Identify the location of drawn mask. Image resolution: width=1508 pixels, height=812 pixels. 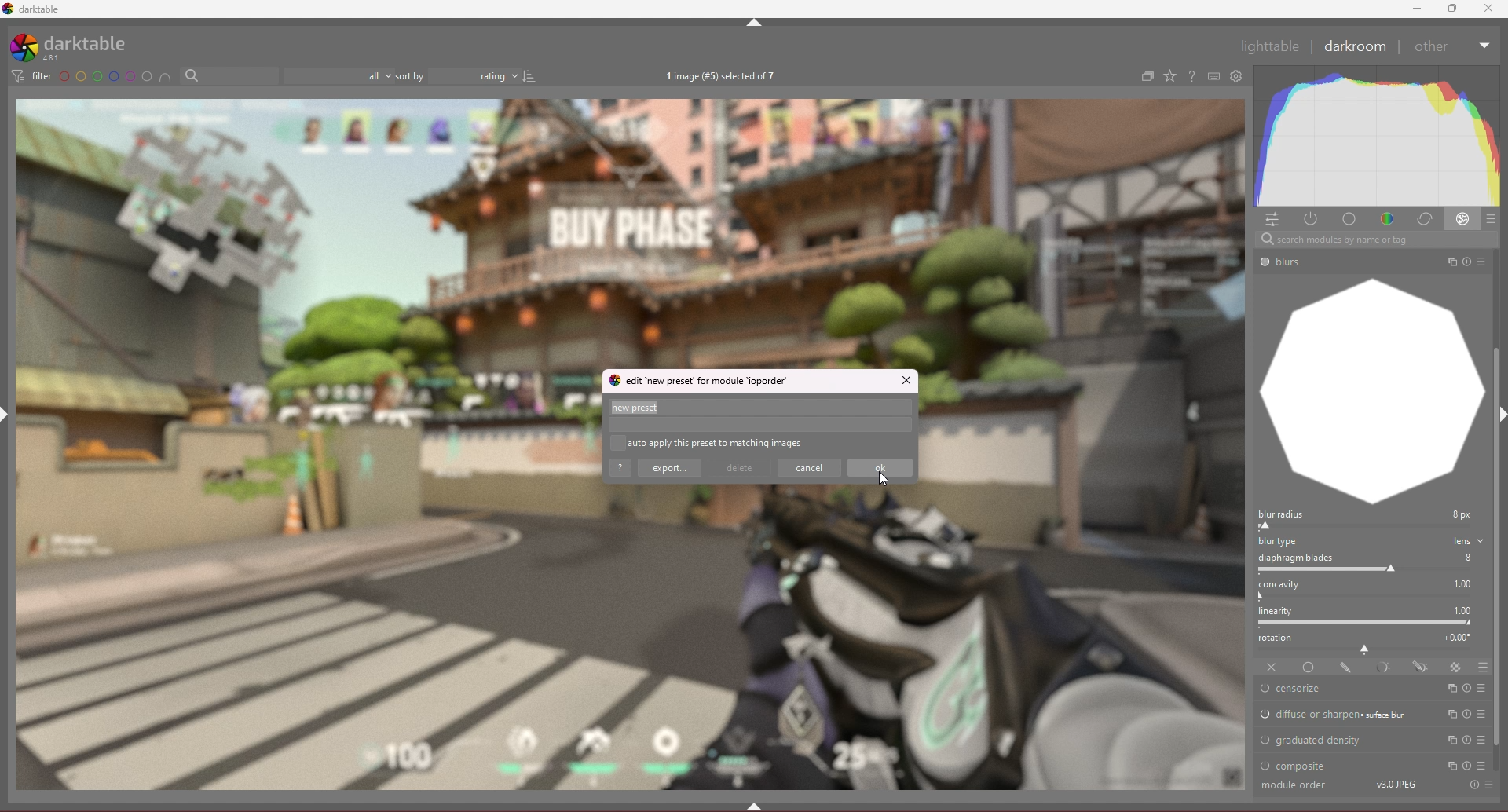
(1347, 668).